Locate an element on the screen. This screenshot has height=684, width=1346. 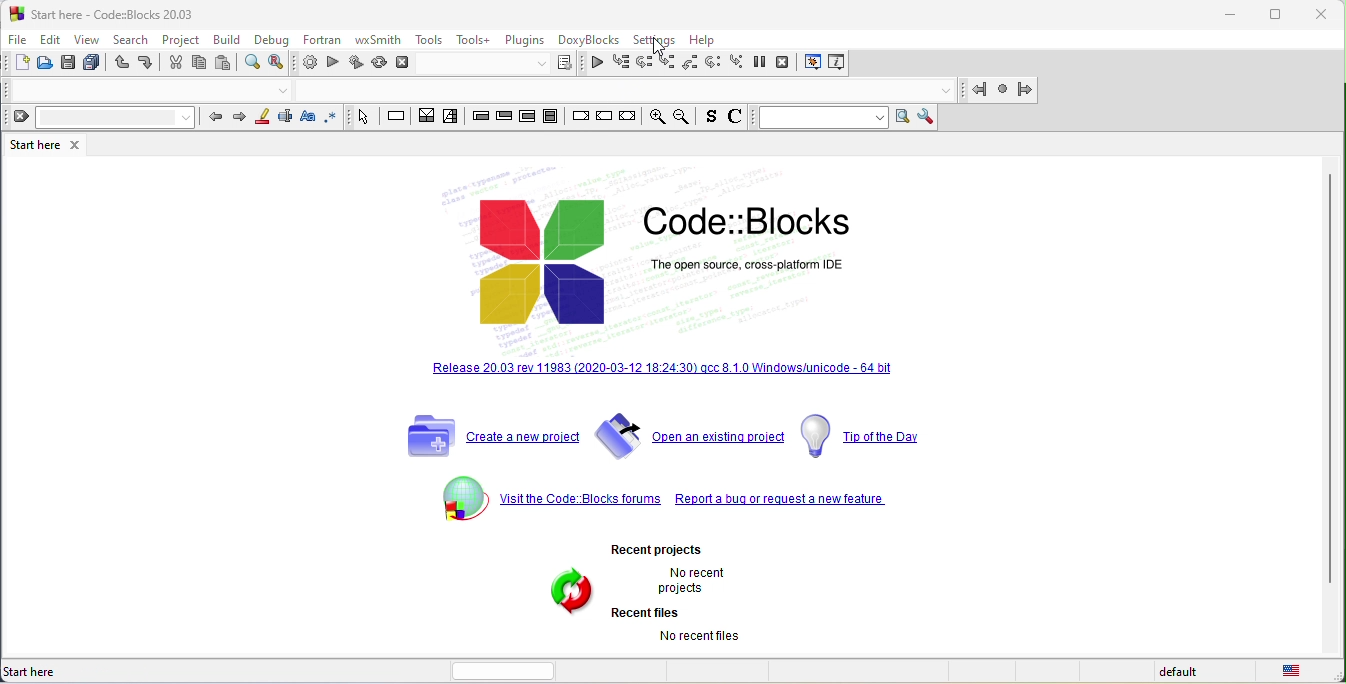
jump back is located at coordinates (974, 89).